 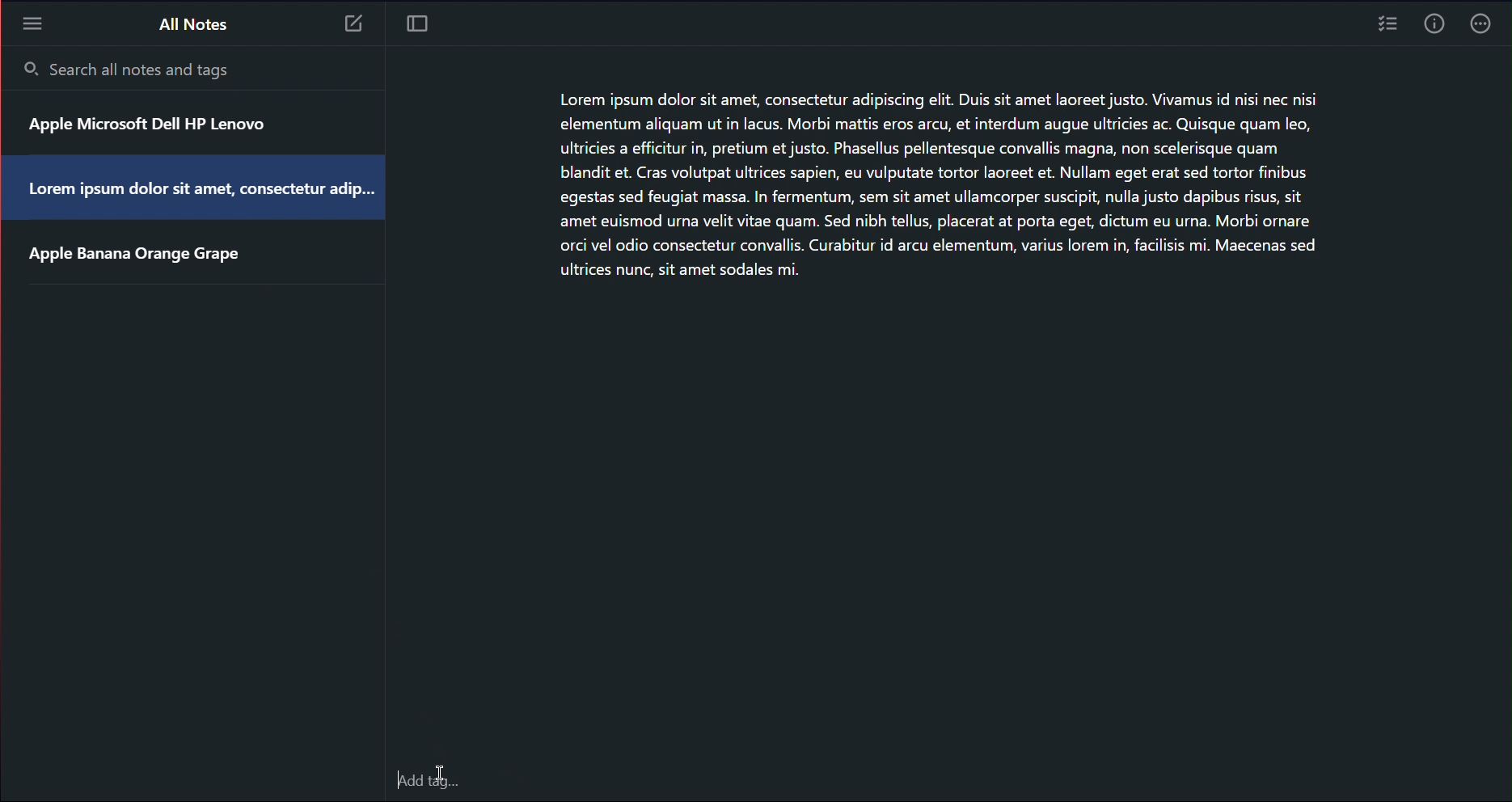 I want to click on Info, so click(x=1433, y=27).